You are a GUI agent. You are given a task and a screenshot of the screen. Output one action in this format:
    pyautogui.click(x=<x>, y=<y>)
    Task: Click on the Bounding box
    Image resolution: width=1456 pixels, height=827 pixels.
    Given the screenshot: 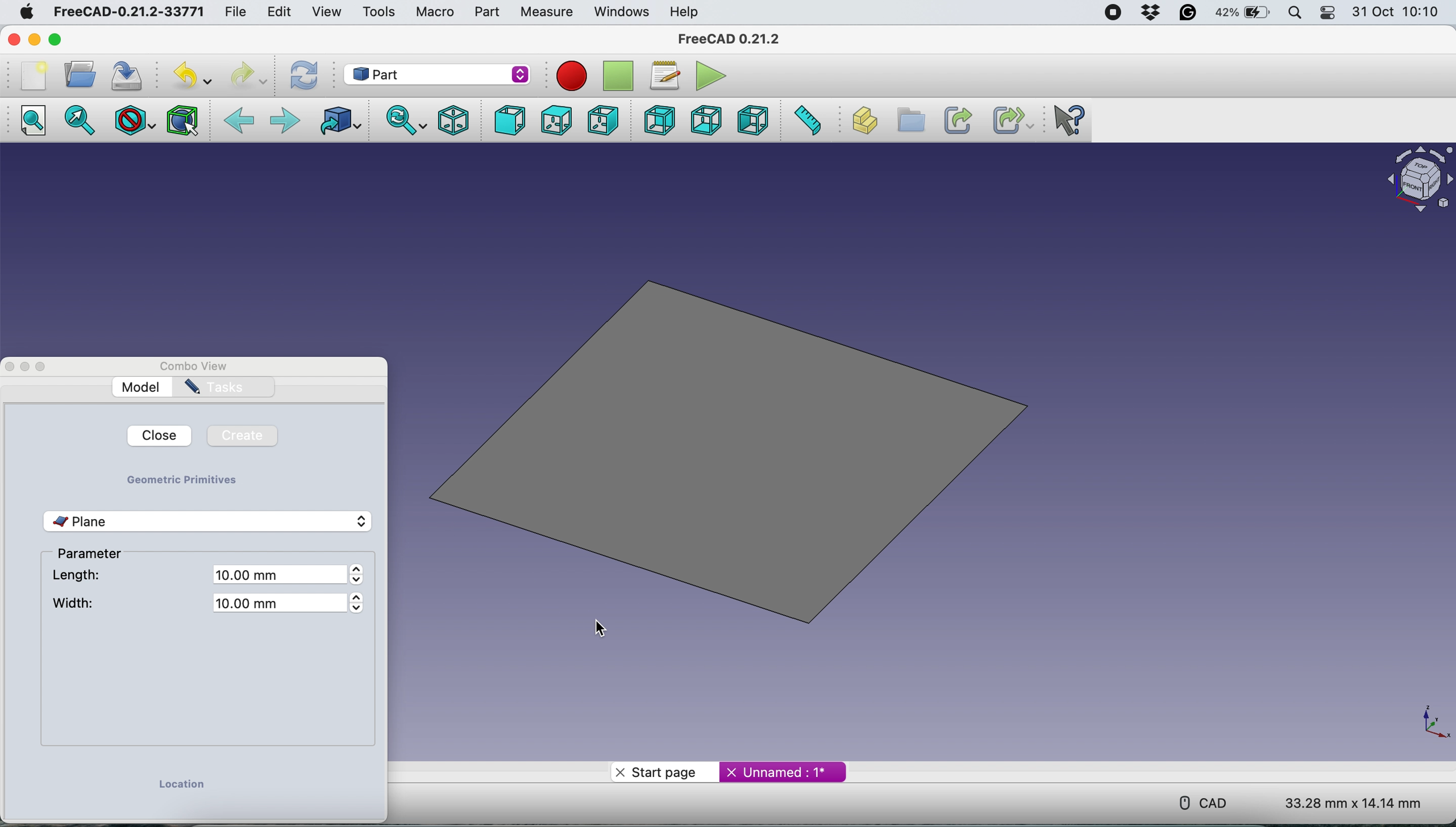 What is the action you would take?
    pyautogui.click(x=182, y=121)
    